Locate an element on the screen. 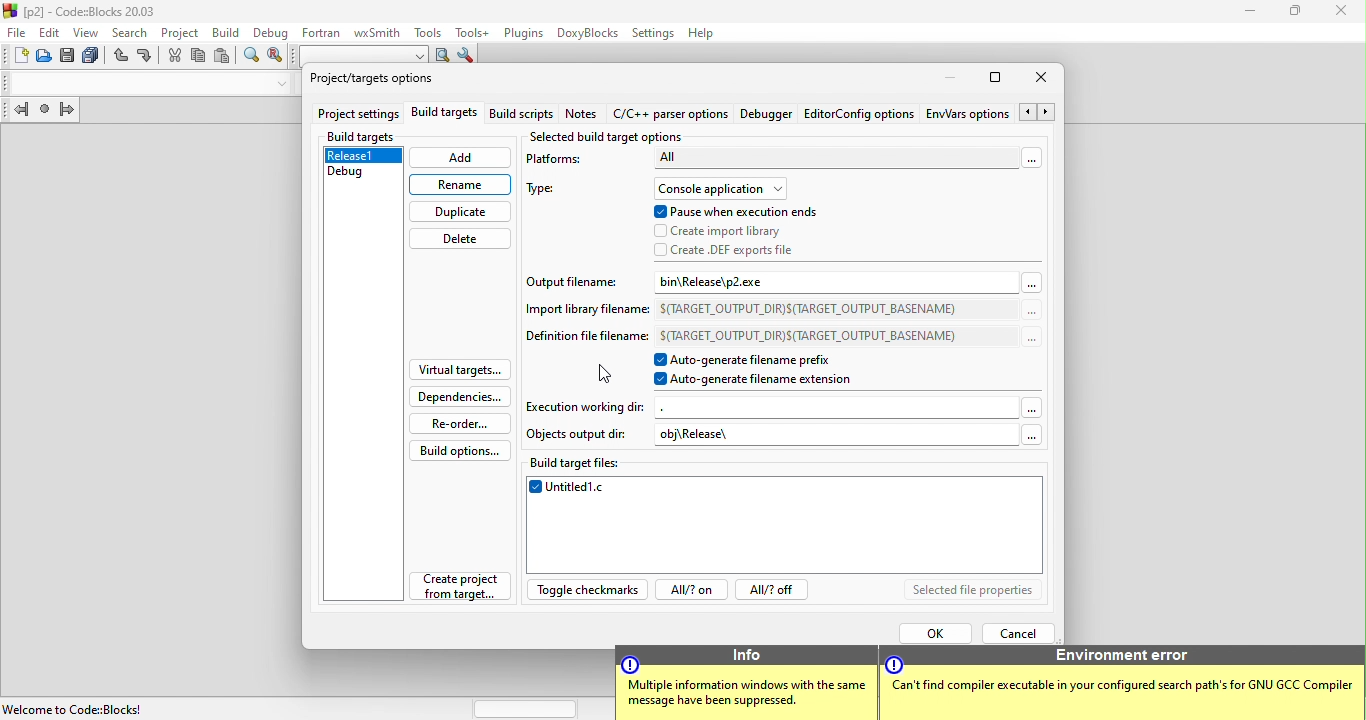 The image size is (1366, 720). copy is located at coordinates (199, 59).